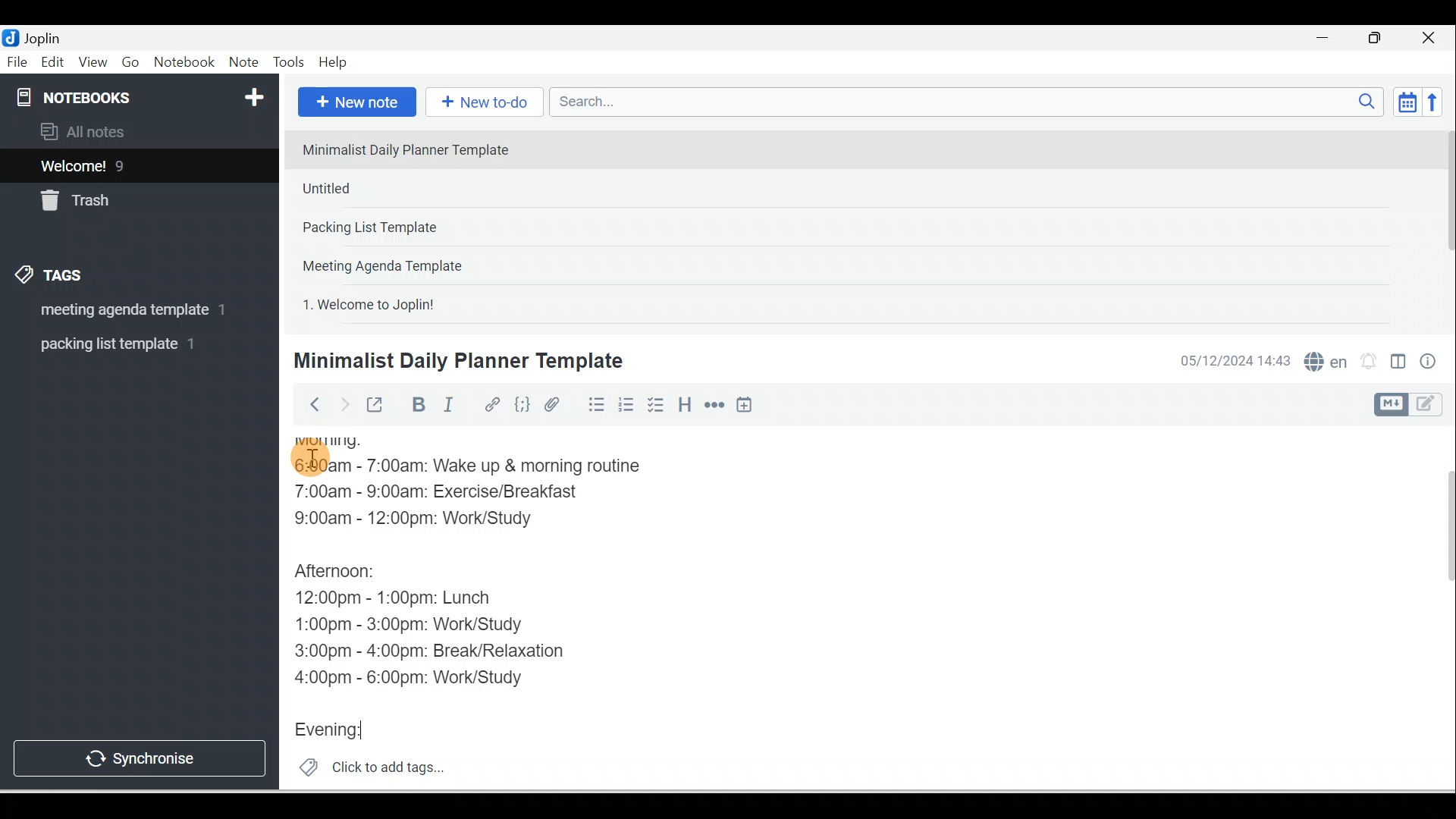 This screenshot has height=819, width=1456. Describe the element at coordinates (93, 63) in the screenshot. I see `View` at that location.